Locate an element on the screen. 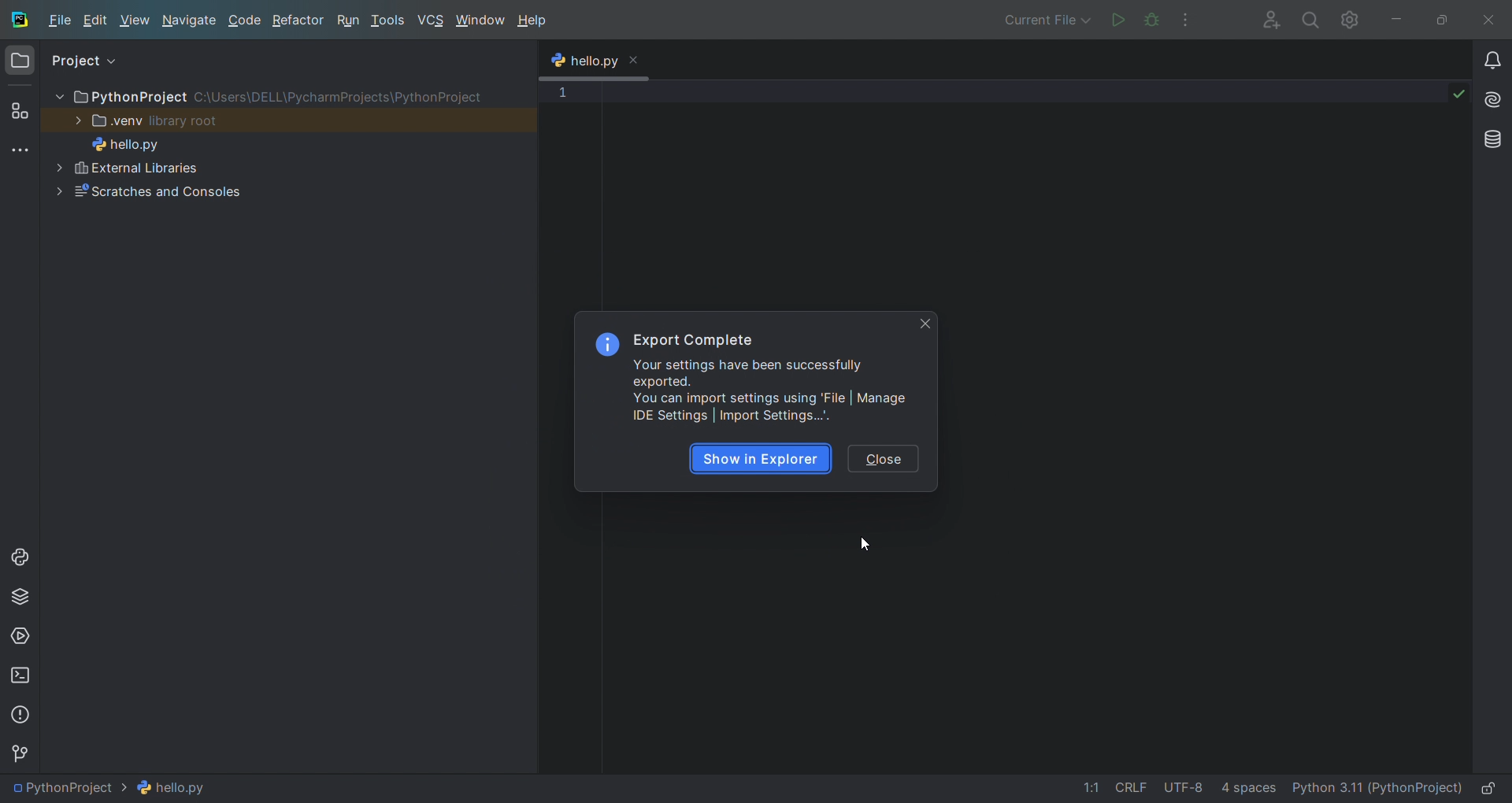 This screenshot has width=1512, height=803. file path is located at coordinates (117, 787).